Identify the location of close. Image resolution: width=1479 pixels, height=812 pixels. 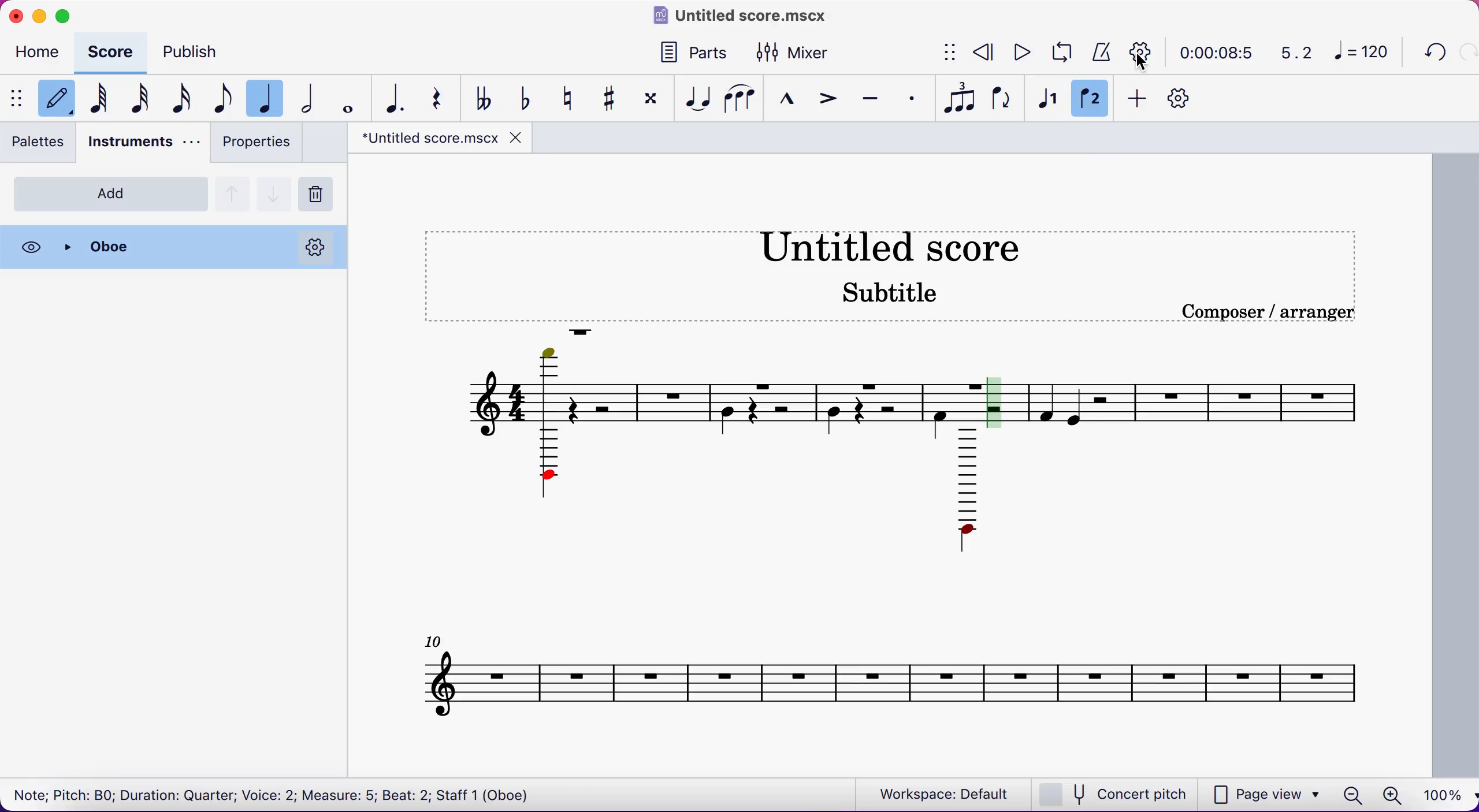
(516, 137).